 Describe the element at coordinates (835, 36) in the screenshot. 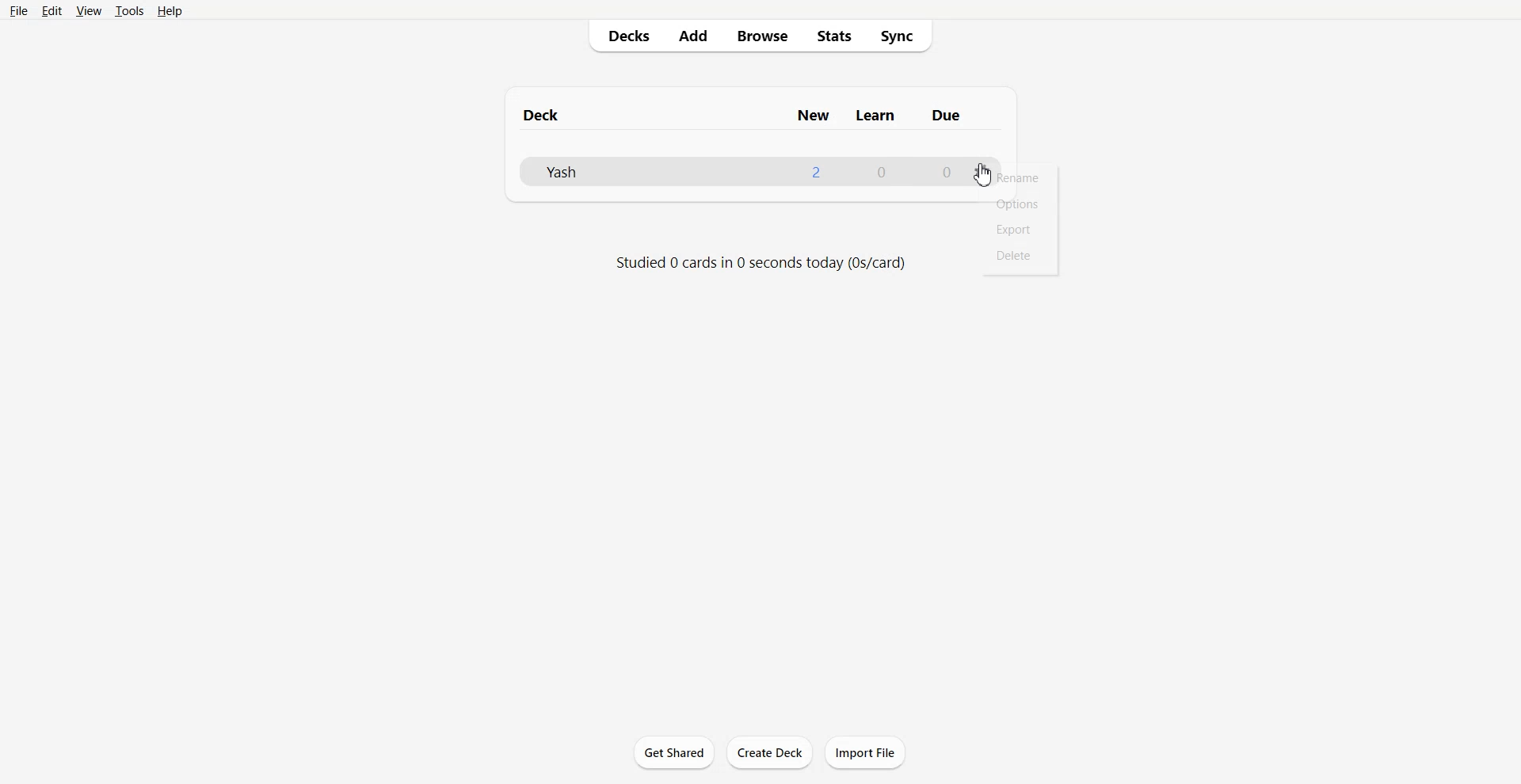

I see `Stats` at that location.